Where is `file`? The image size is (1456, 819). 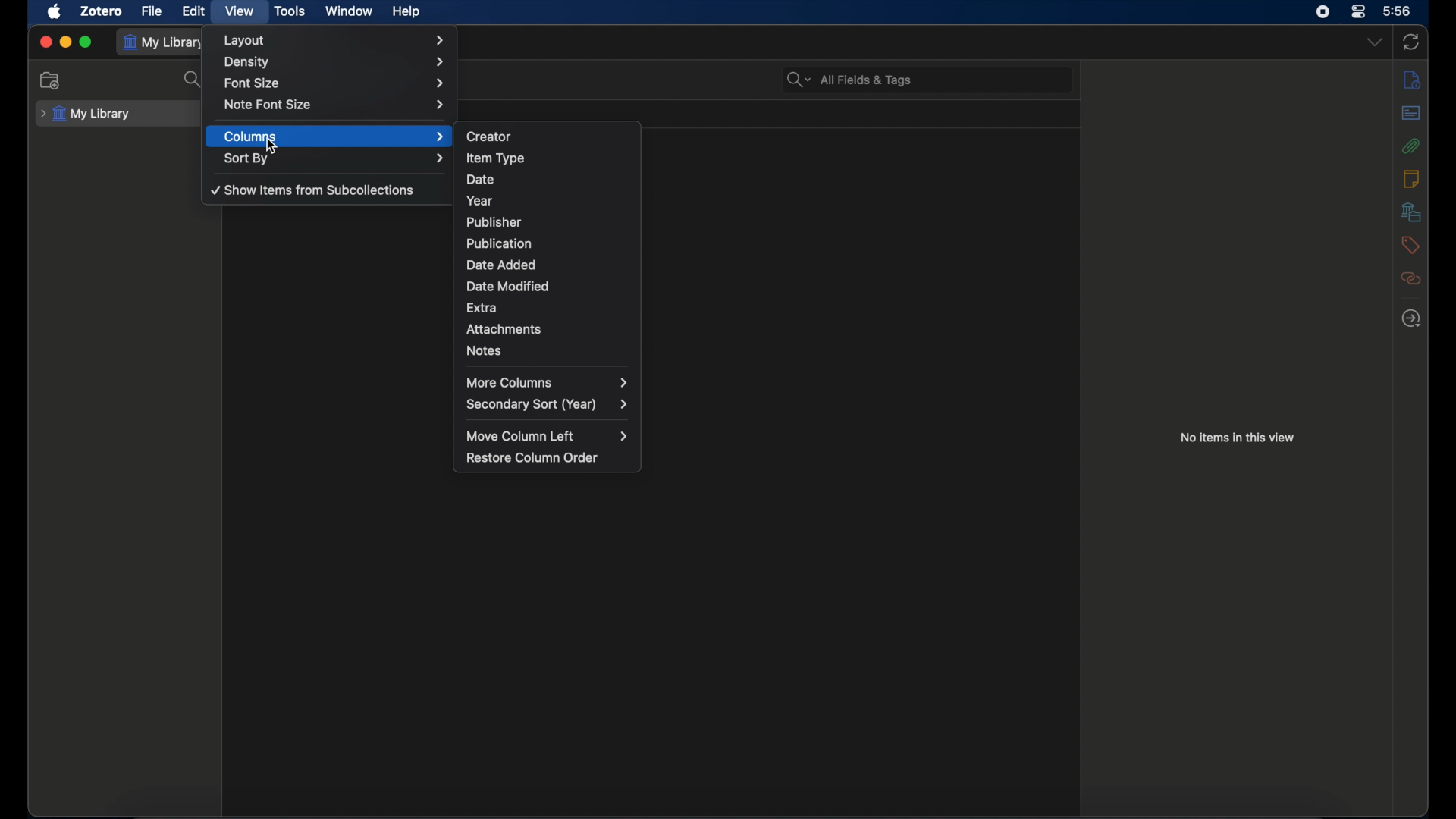 file is located at coordinates (151, 11).